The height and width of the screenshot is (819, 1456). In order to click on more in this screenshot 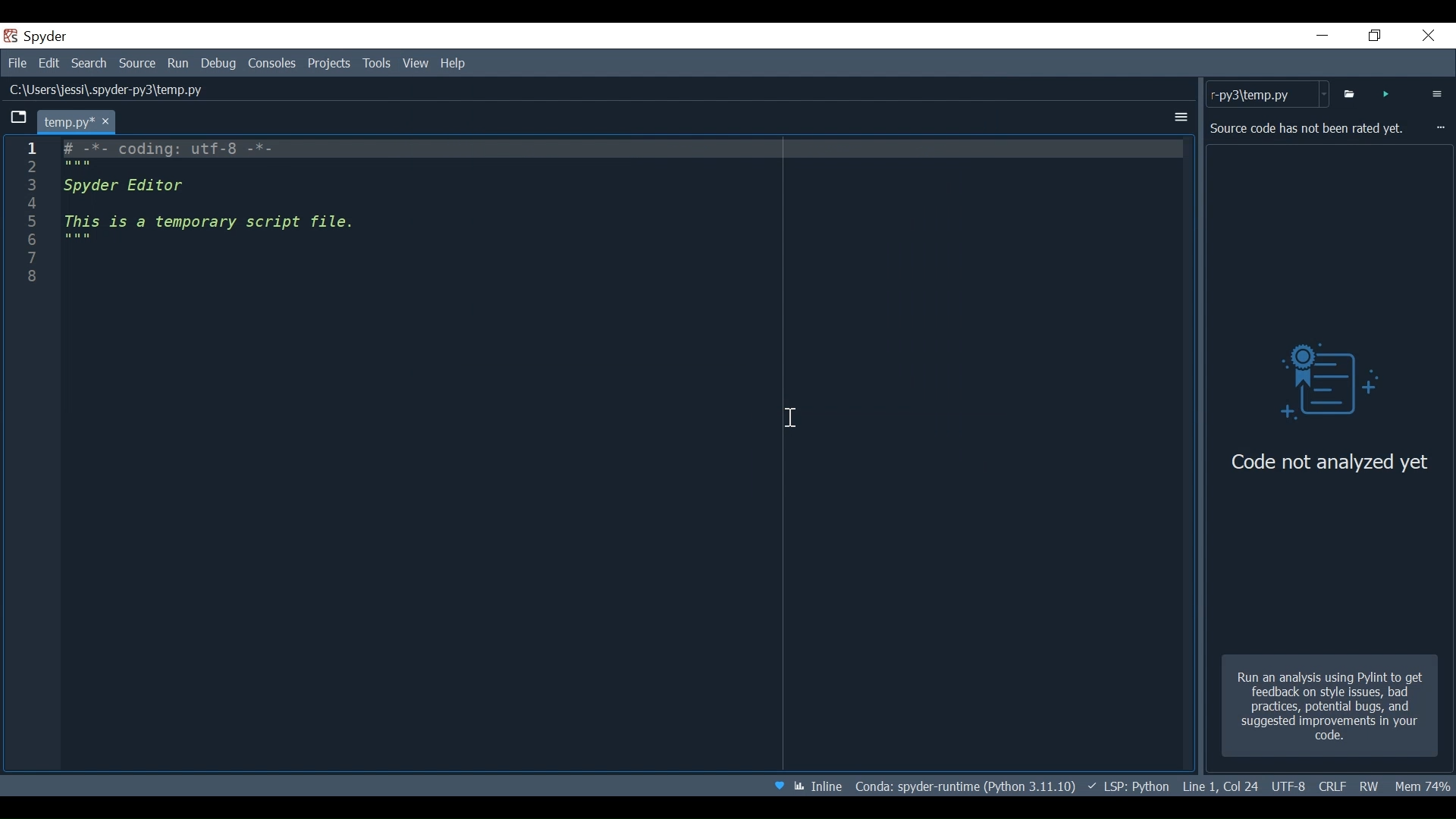, I will do `click(1439, 127)`.